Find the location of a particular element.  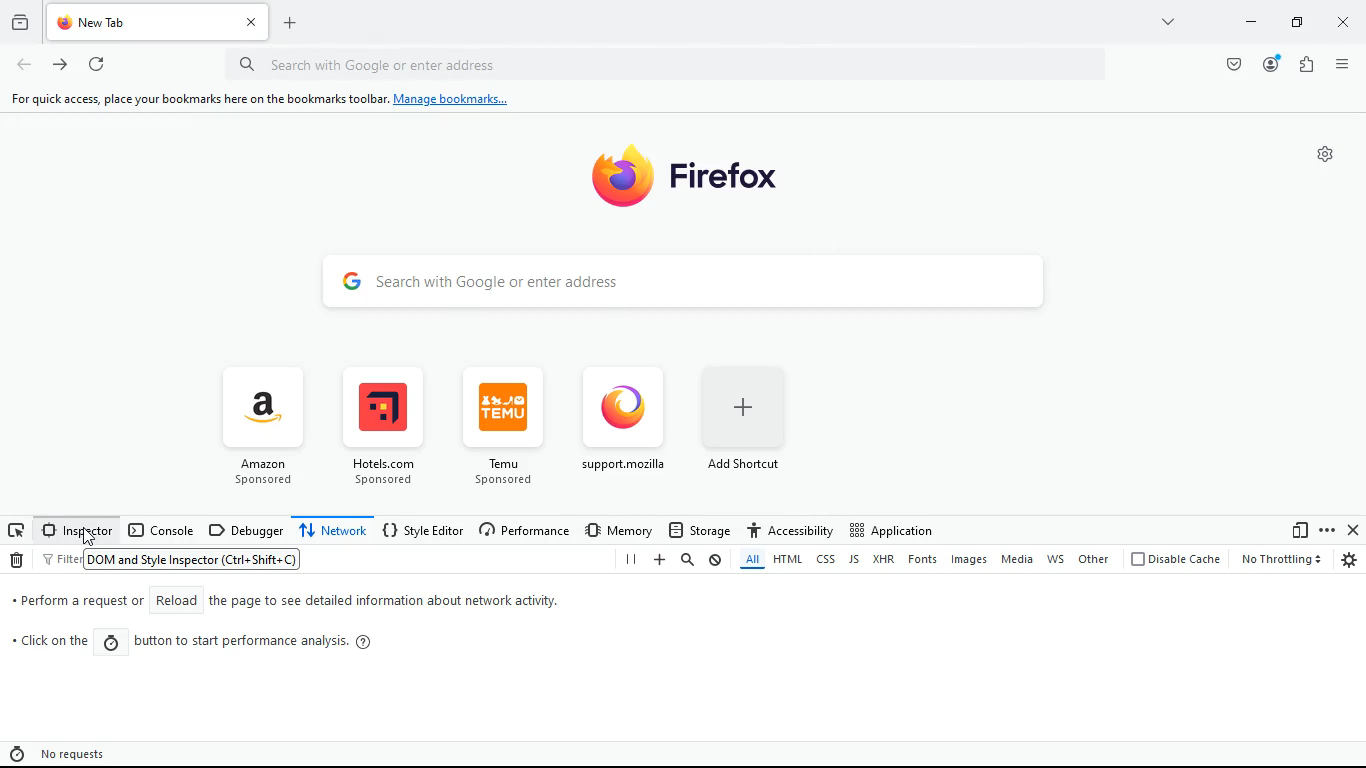

search is located at coordinates (688, 560).